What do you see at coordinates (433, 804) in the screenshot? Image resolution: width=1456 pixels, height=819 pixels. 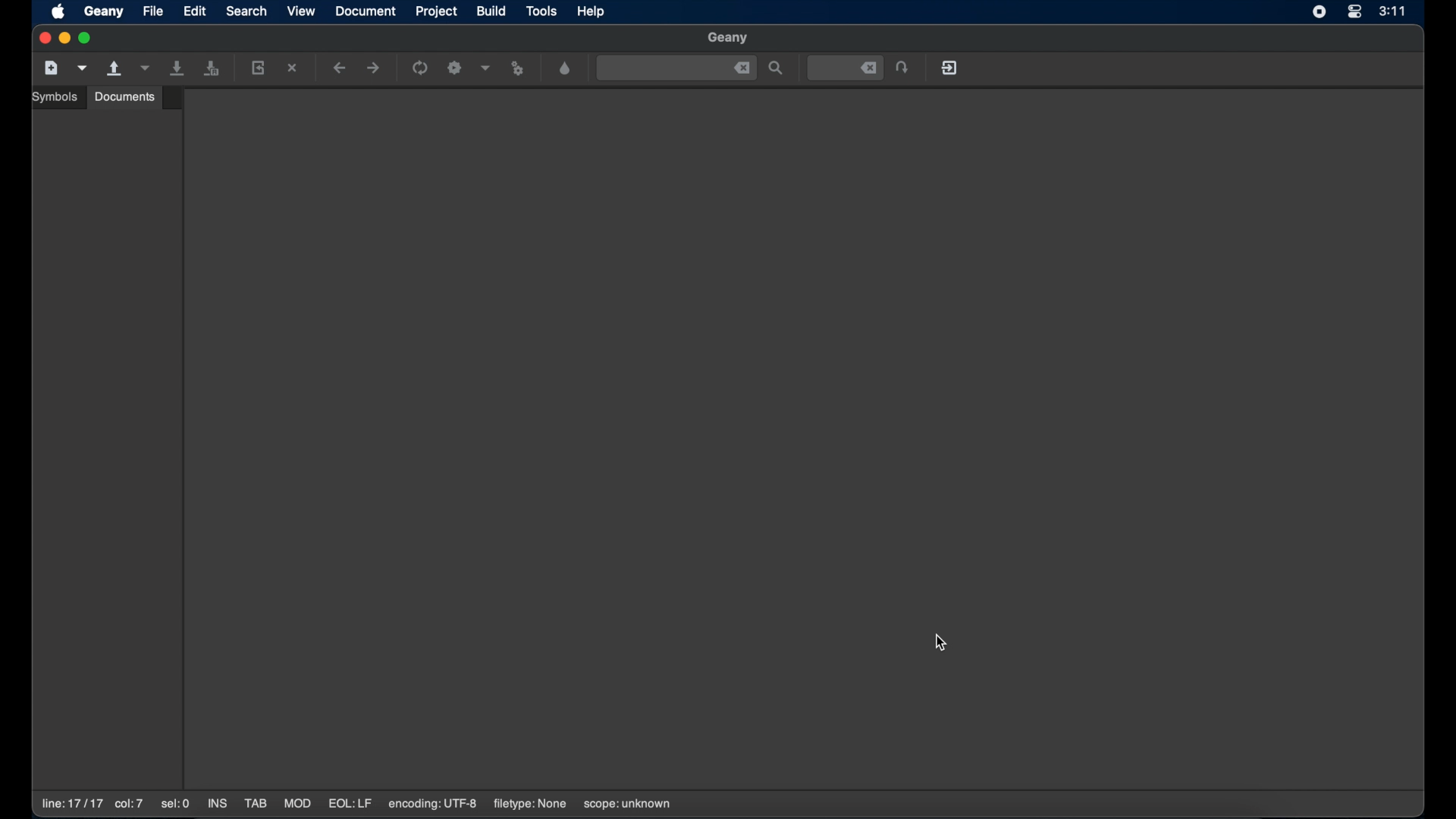 I see `encoding: UTF-8` at bounding box center [433, 804].